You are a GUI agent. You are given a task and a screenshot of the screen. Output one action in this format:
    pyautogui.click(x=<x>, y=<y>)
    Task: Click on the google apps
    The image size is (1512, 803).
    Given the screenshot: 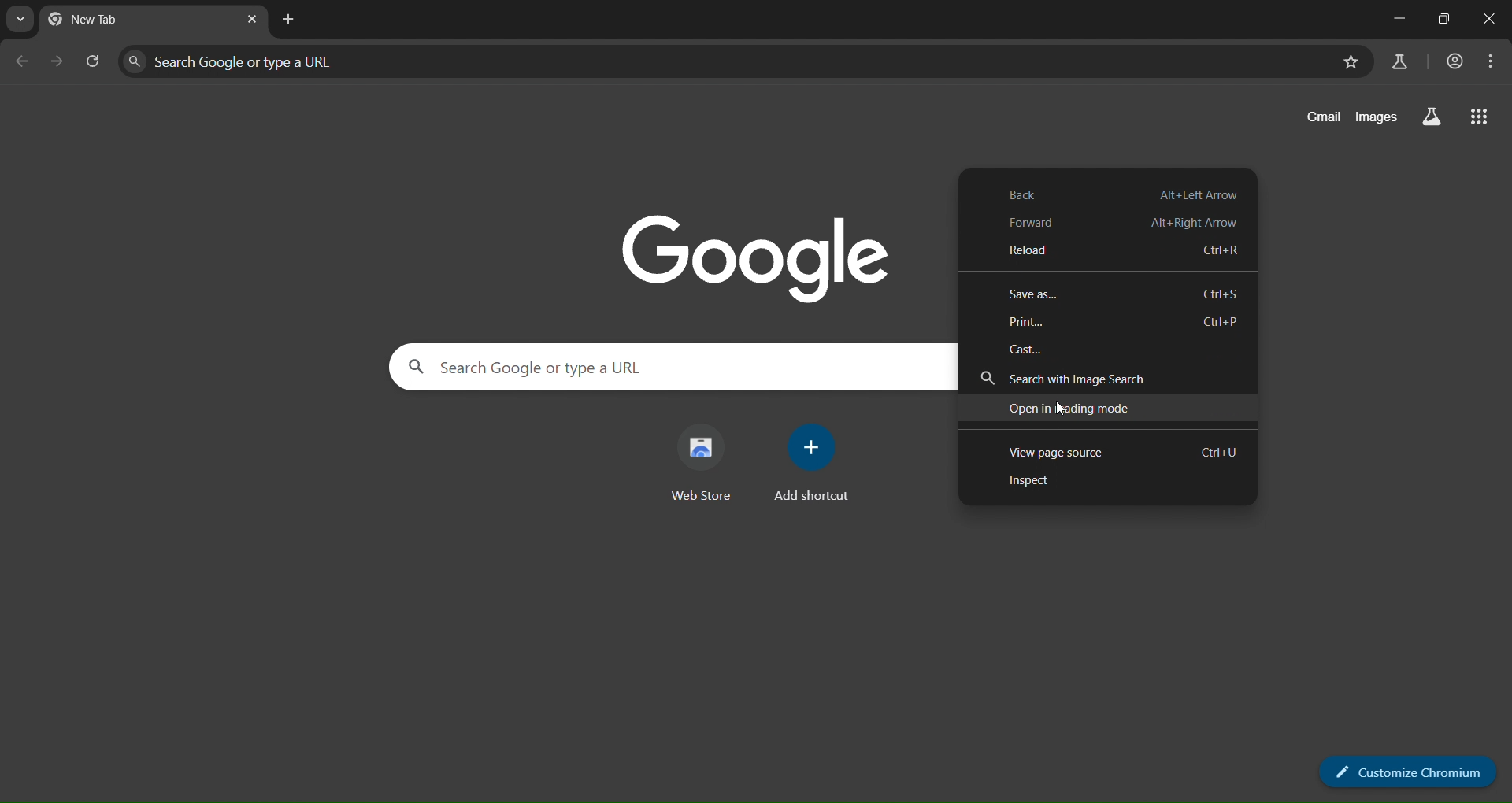 What is the action you would take?
    pyautogui.click(x=1482, y=117)
    